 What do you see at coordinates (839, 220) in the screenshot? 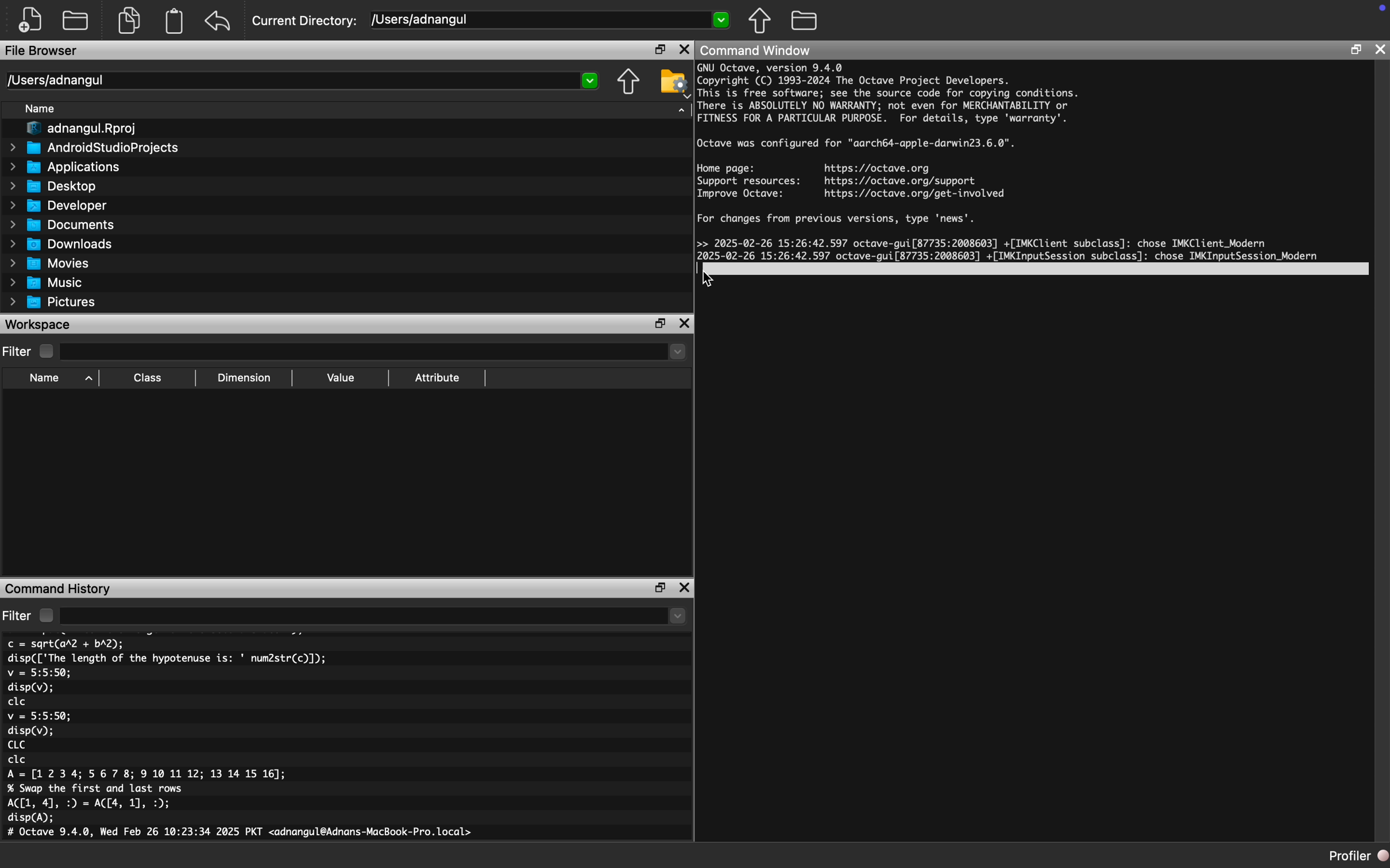
I see `For changes from previous versions, type 'news'.` at bounding box center [839, 220].